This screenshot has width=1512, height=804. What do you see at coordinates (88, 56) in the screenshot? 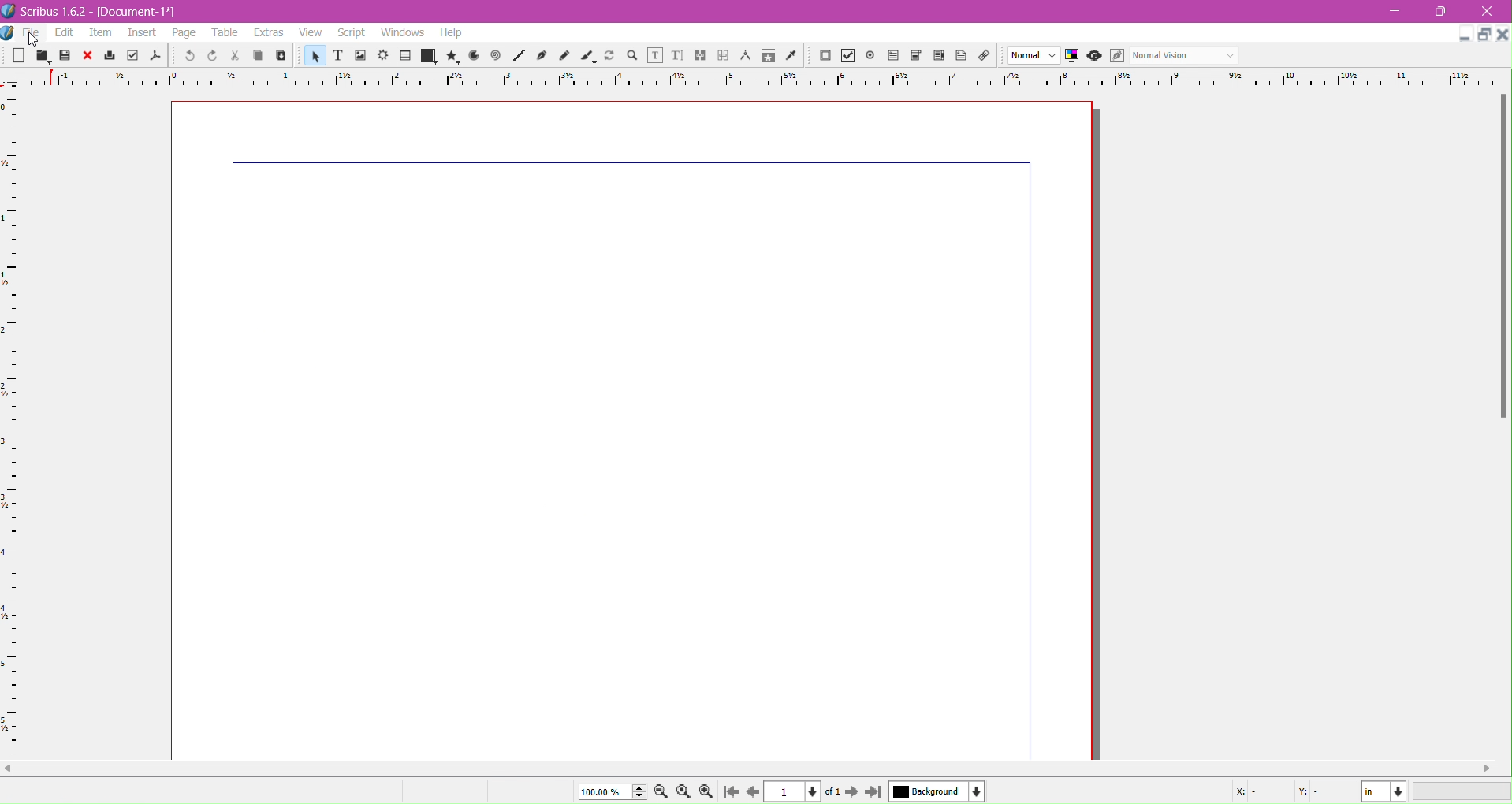
I see `close` at bounding box center [88, 56].